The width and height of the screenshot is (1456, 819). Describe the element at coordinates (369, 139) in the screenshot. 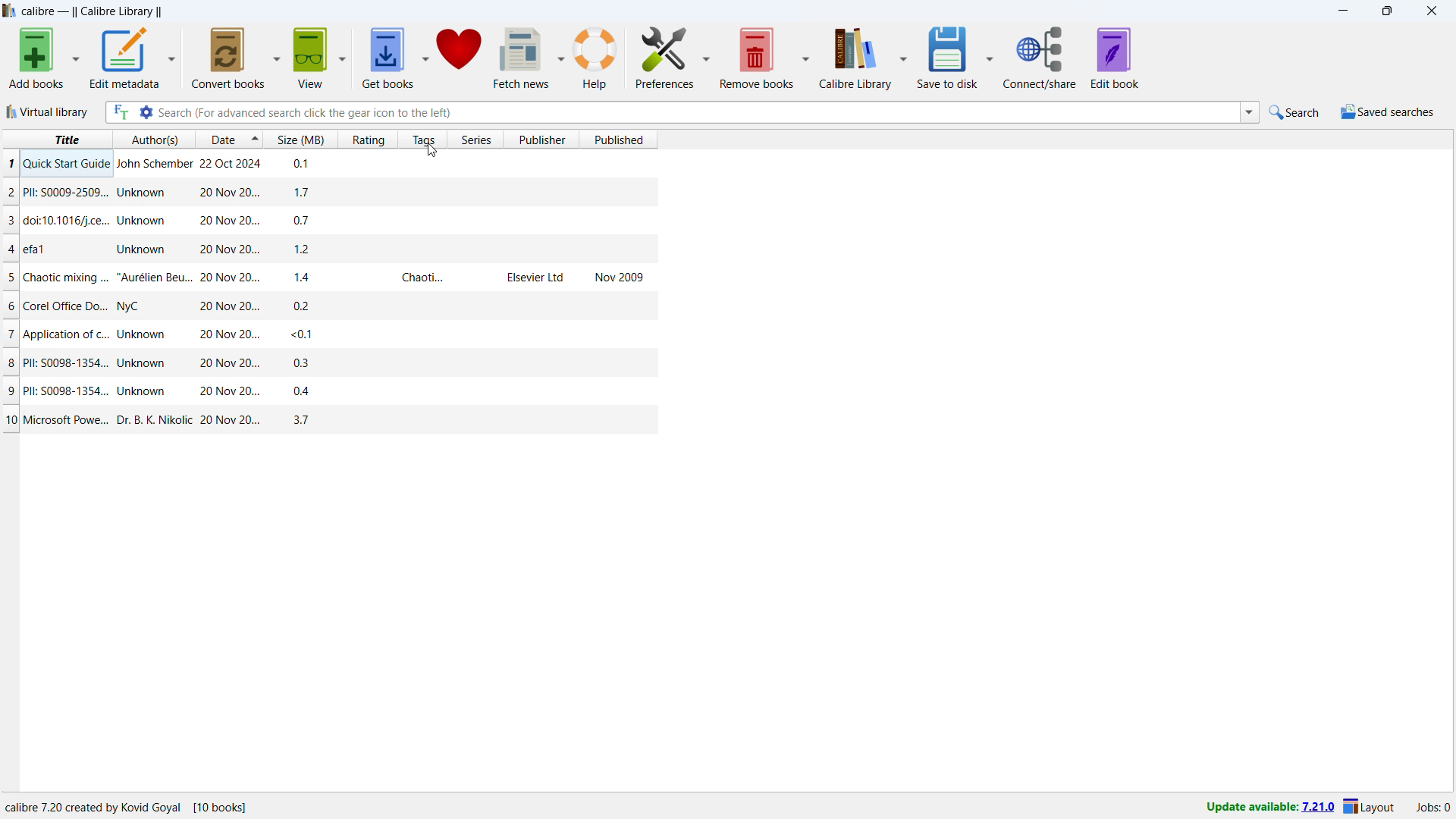

I see `sort by rating` at that location.